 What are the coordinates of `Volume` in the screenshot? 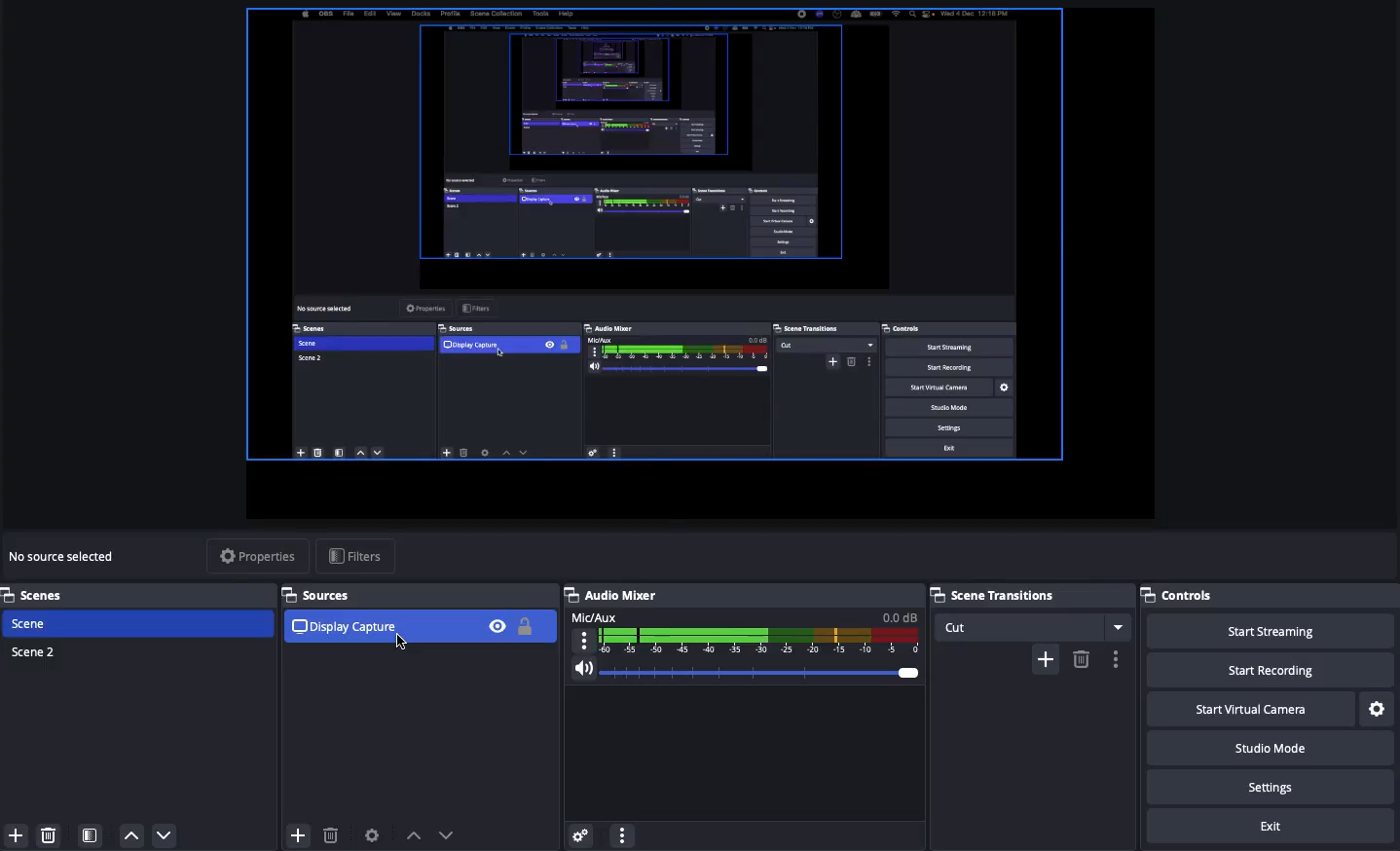 It's located at (747, 669).